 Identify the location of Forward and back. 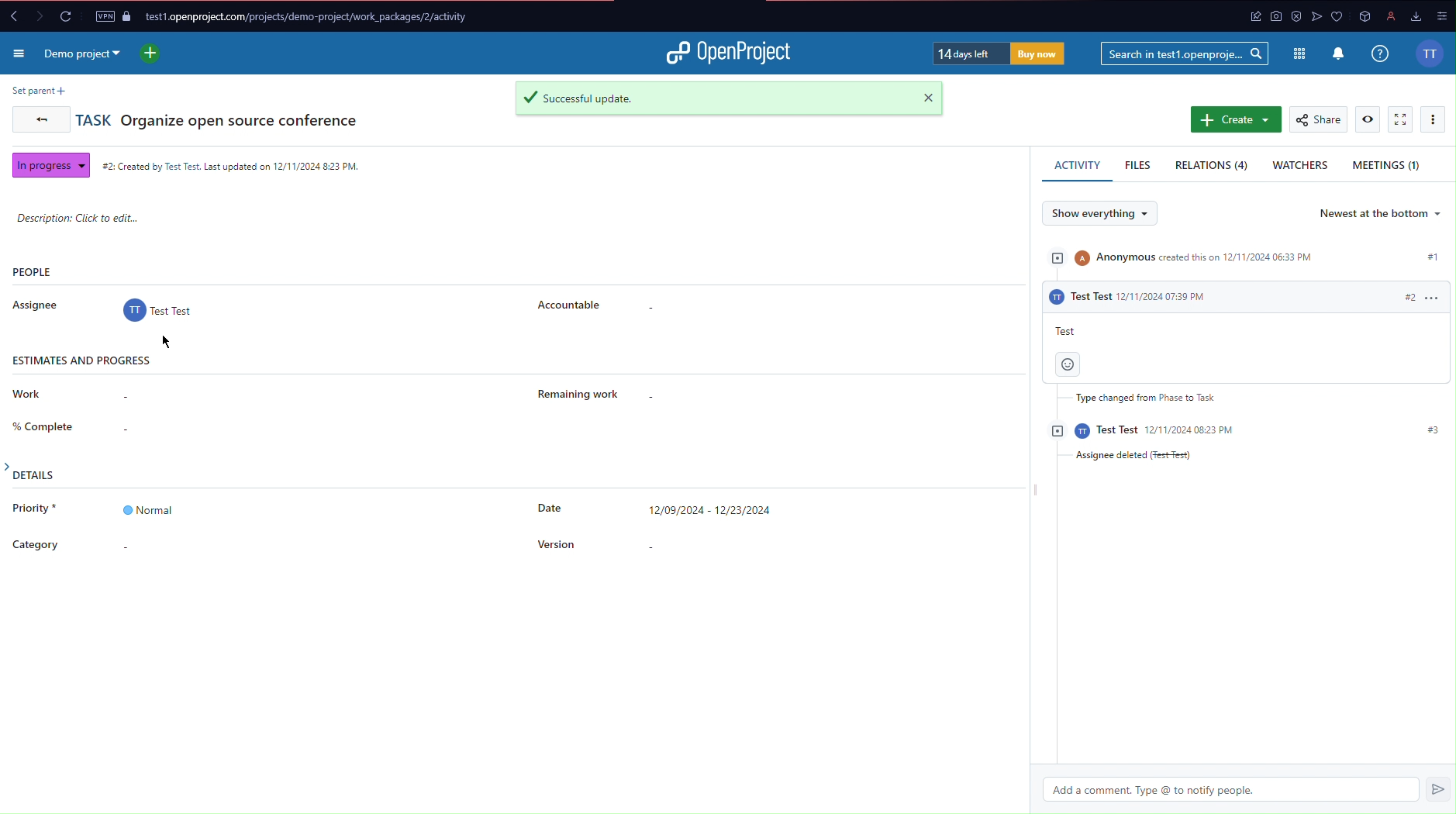
(30, 17).